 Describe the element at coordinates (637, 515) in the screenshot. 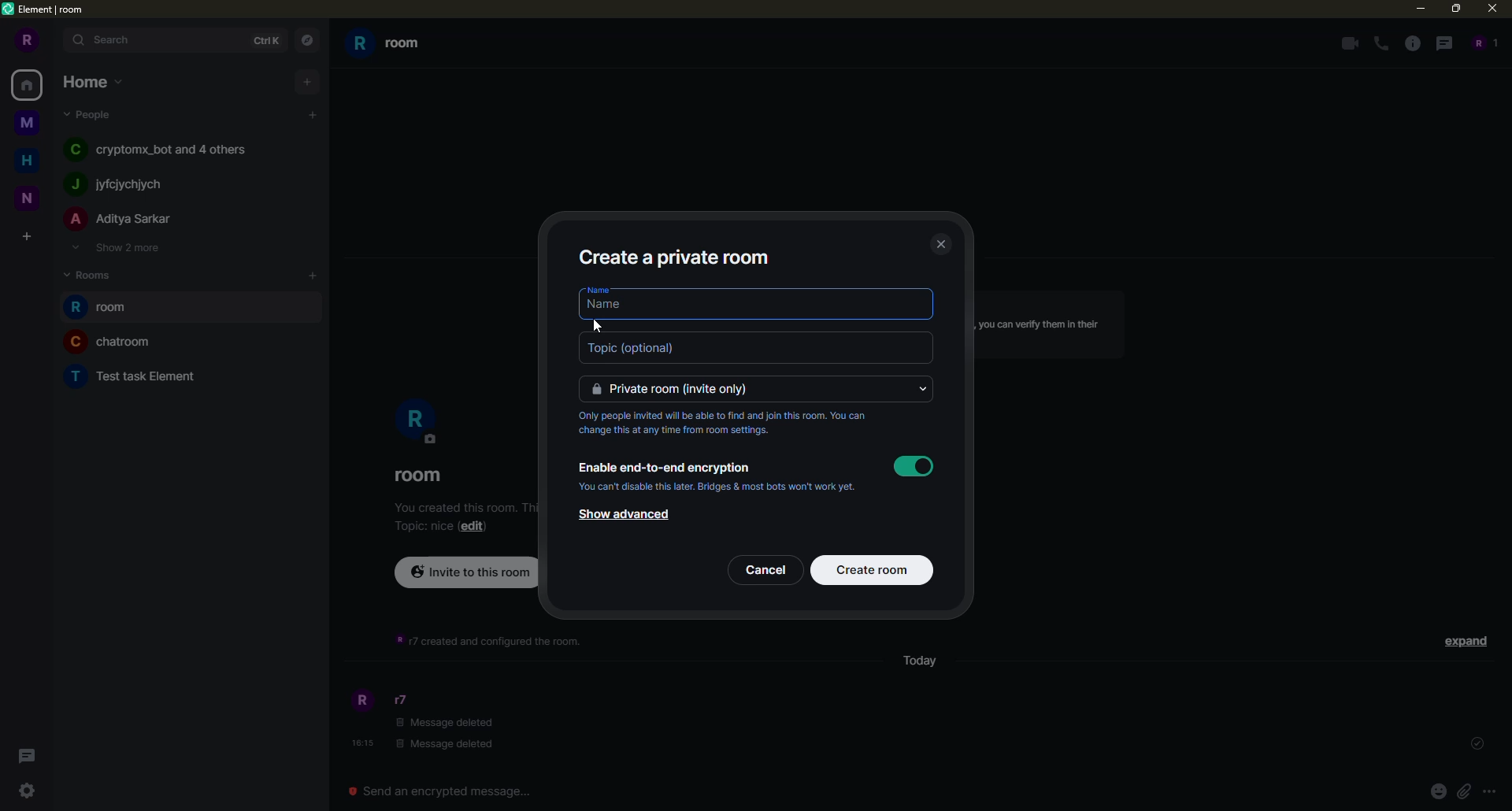

I see `show advanced` at that location.